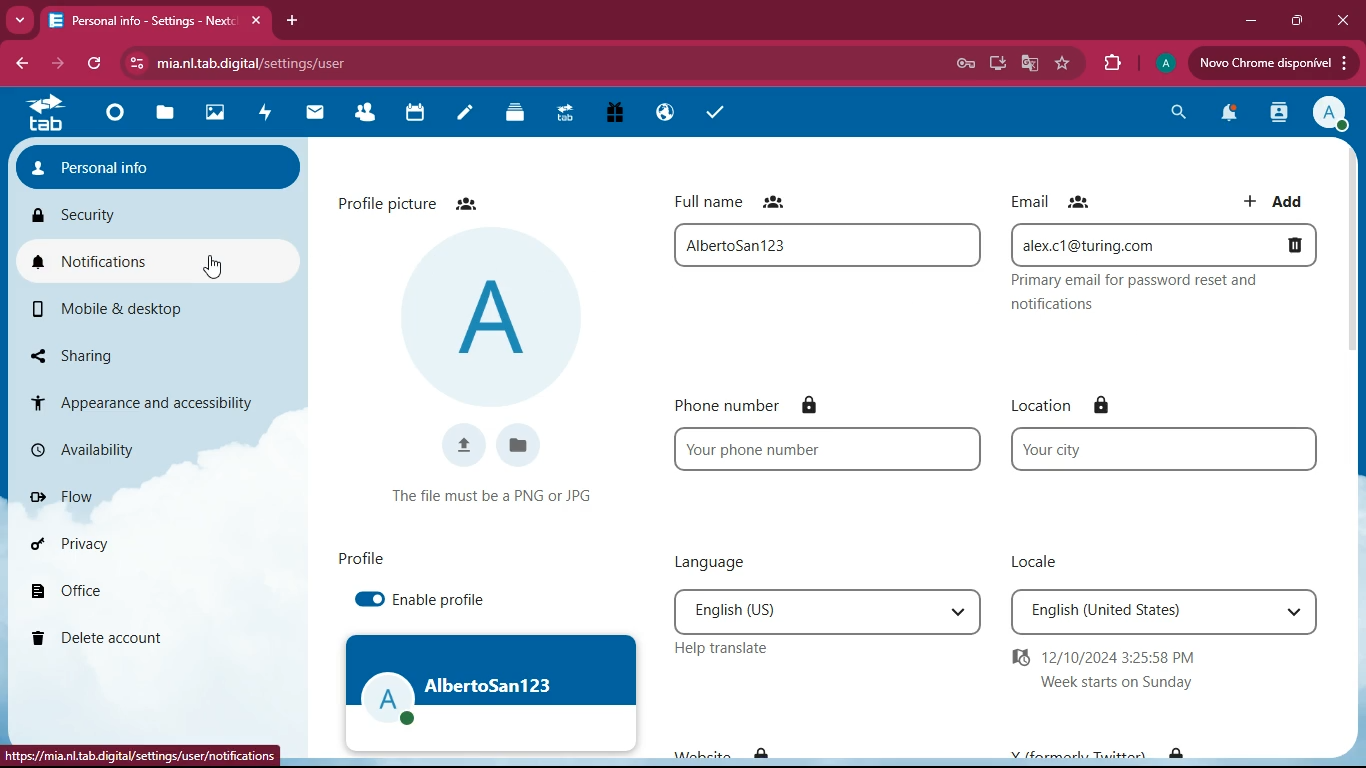 The width and height of the screenshot is (1366, 768). Describe the element at coordinates (135, 308) in the screenshot. I see `mobile` at that location.